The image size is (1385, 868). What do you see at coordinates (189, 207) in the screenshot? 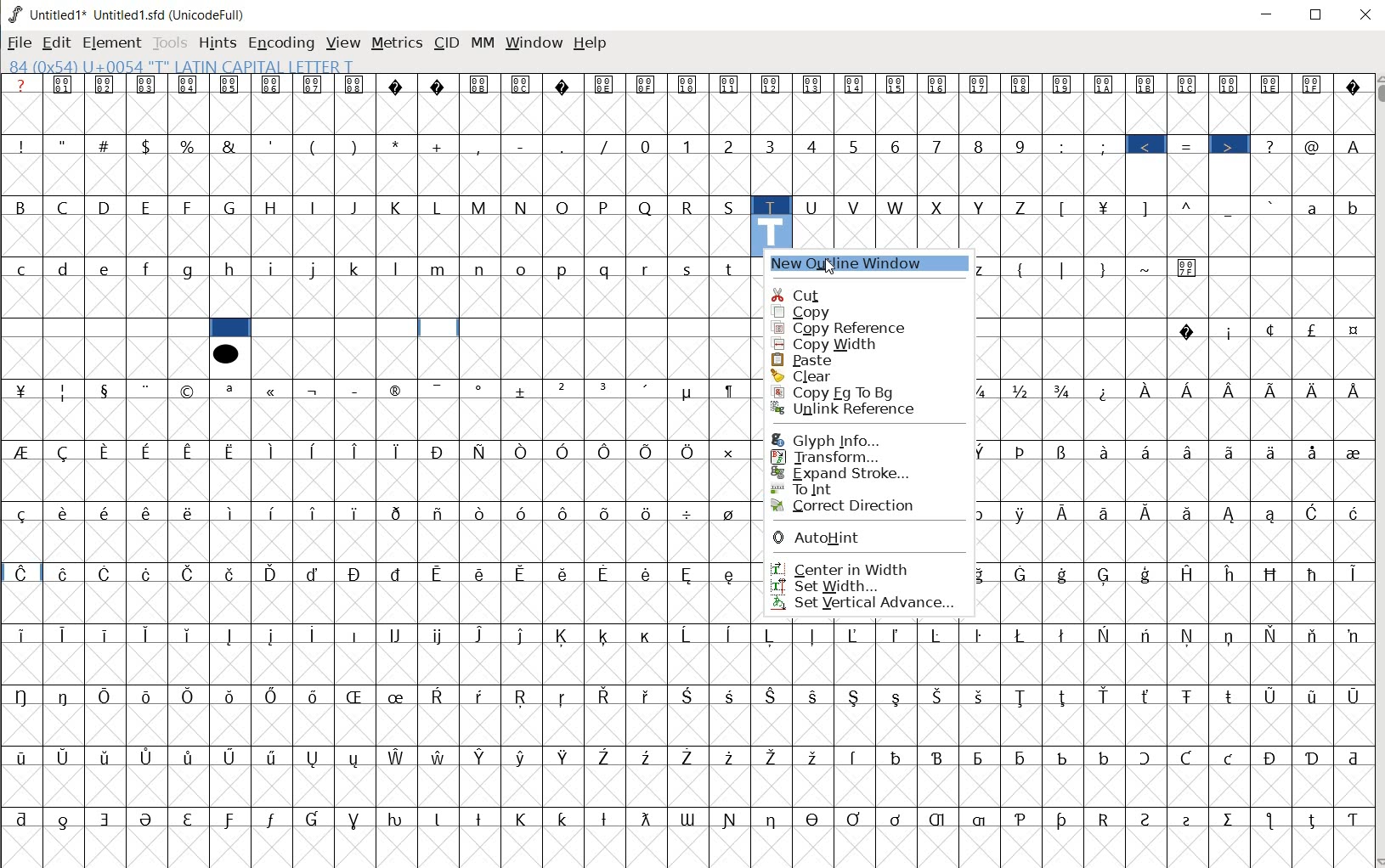
I see `F` at bounding box center [189, 207].